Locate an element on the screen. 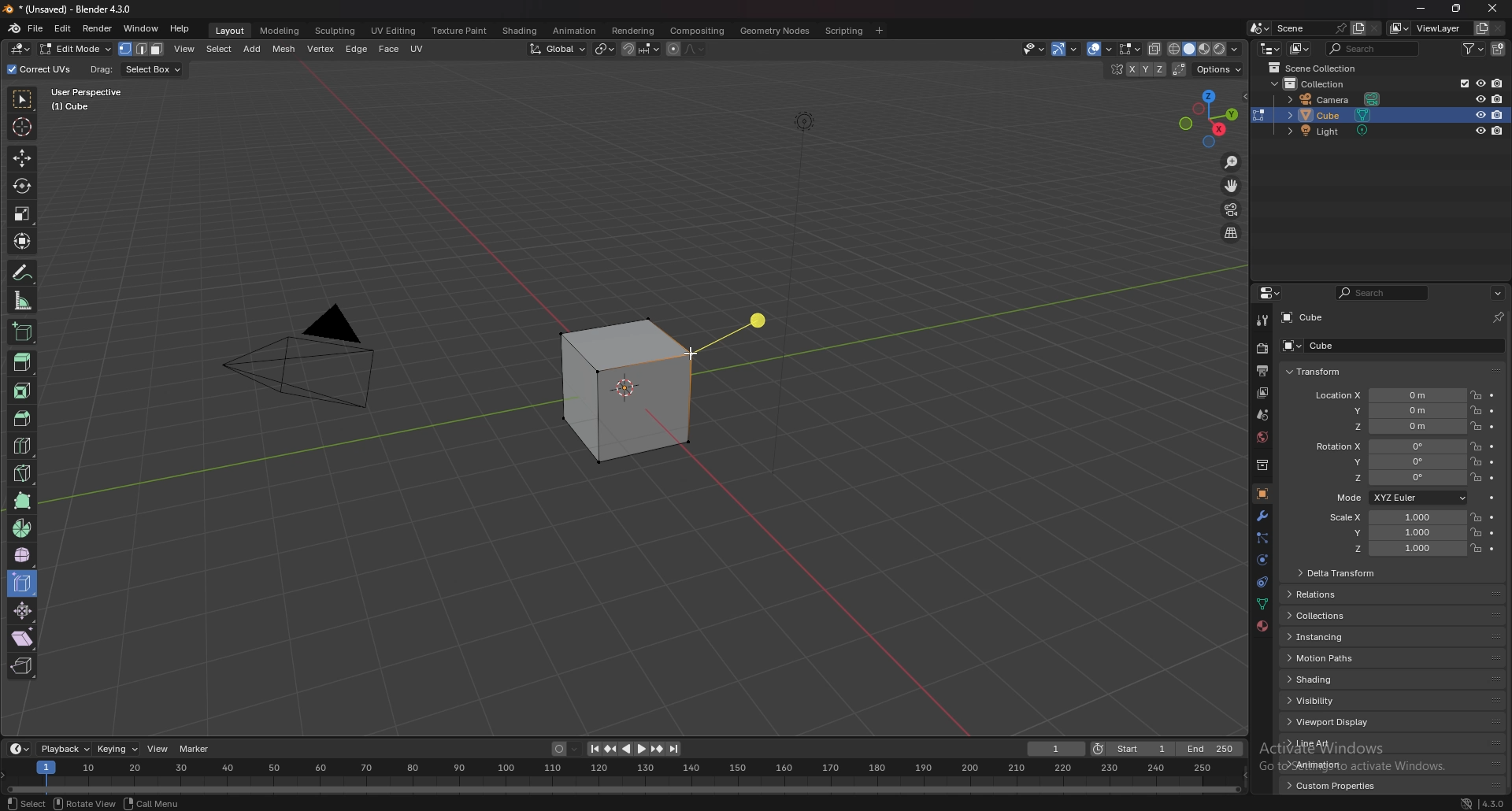 The height and width of the screenshot is (811, 1512). view layer is located at coordinates (1261, 393).